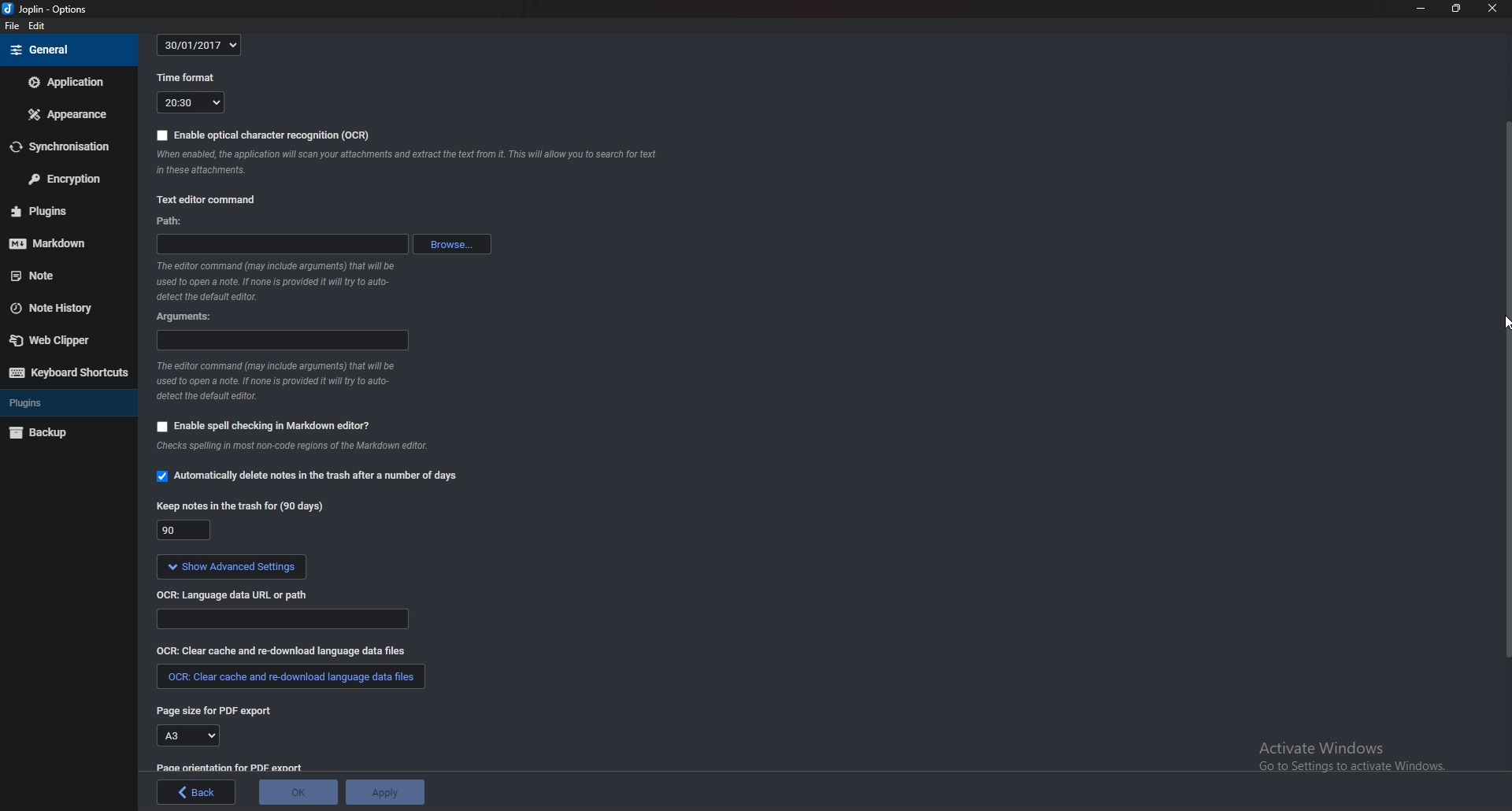 This screenshot has width=1512, height=811. What do you see at coordinates (228, 768) in the screenshot?
I see `page orientation for pdf export` at bounding box center [228, 768].